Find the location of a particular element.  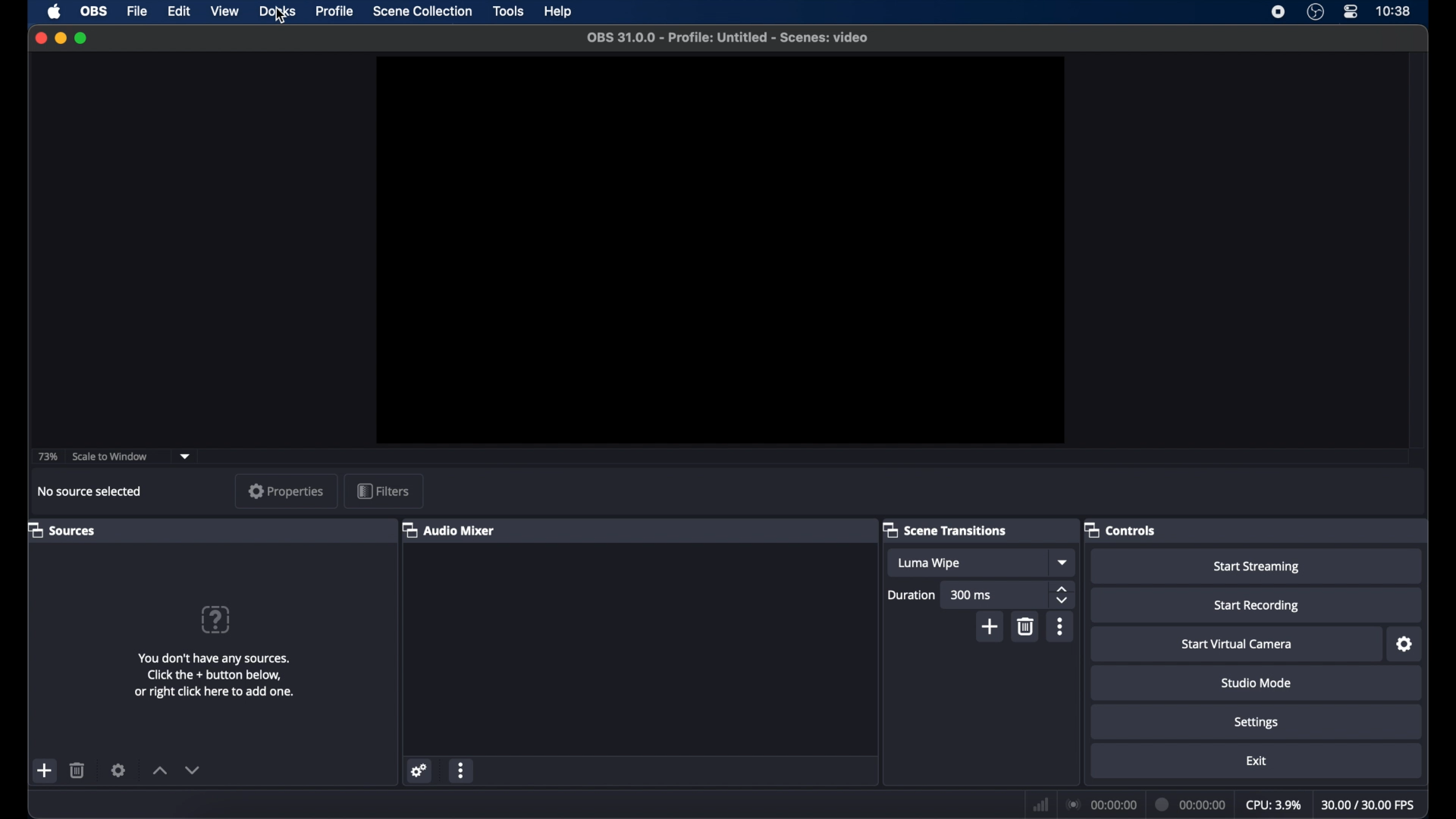

scene collection is located at coordinates (424, 11).